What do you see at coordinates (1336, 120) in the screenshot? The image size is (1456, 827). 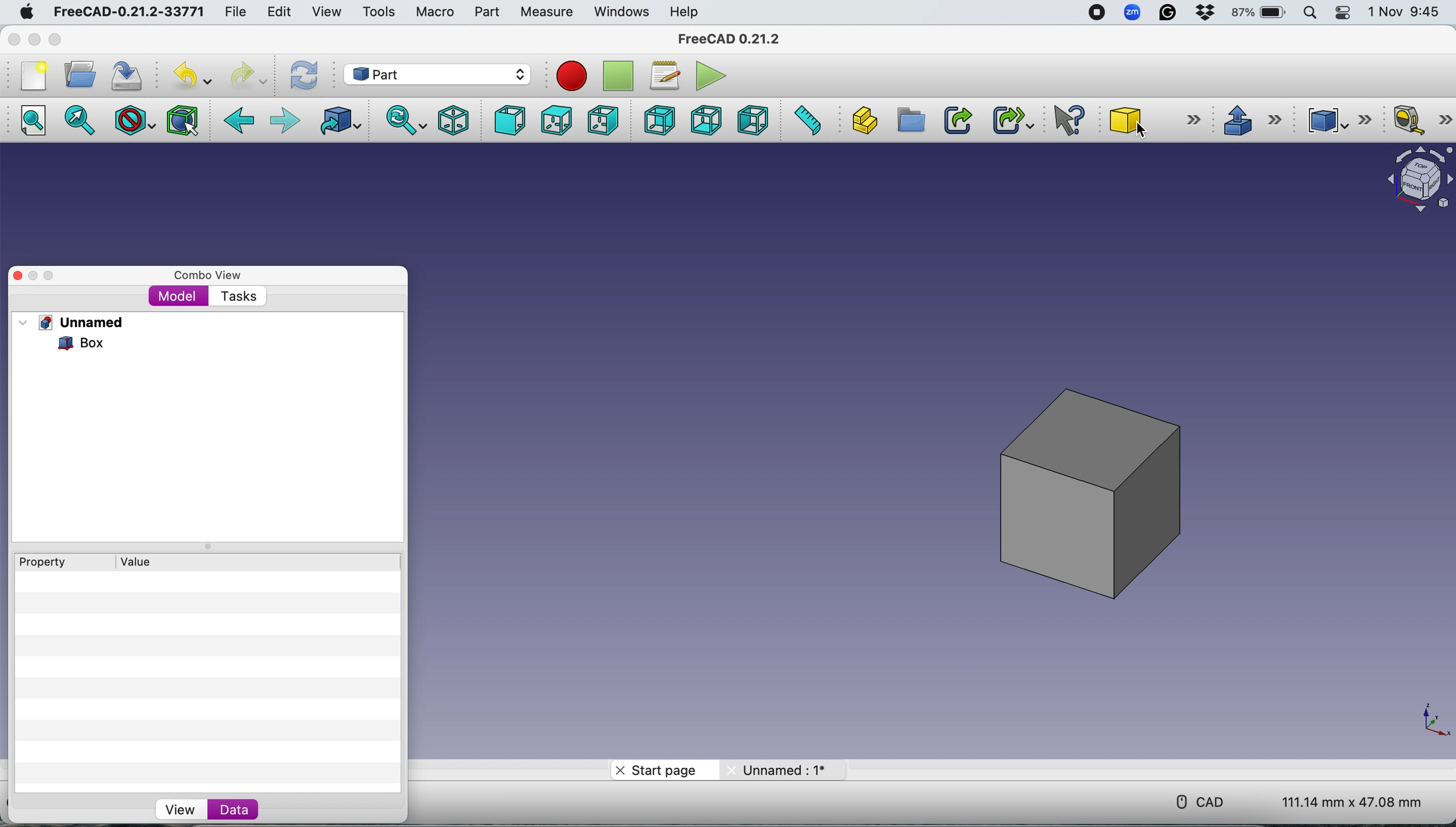 I see `Compound tools` at bounding box center [1336, 120].